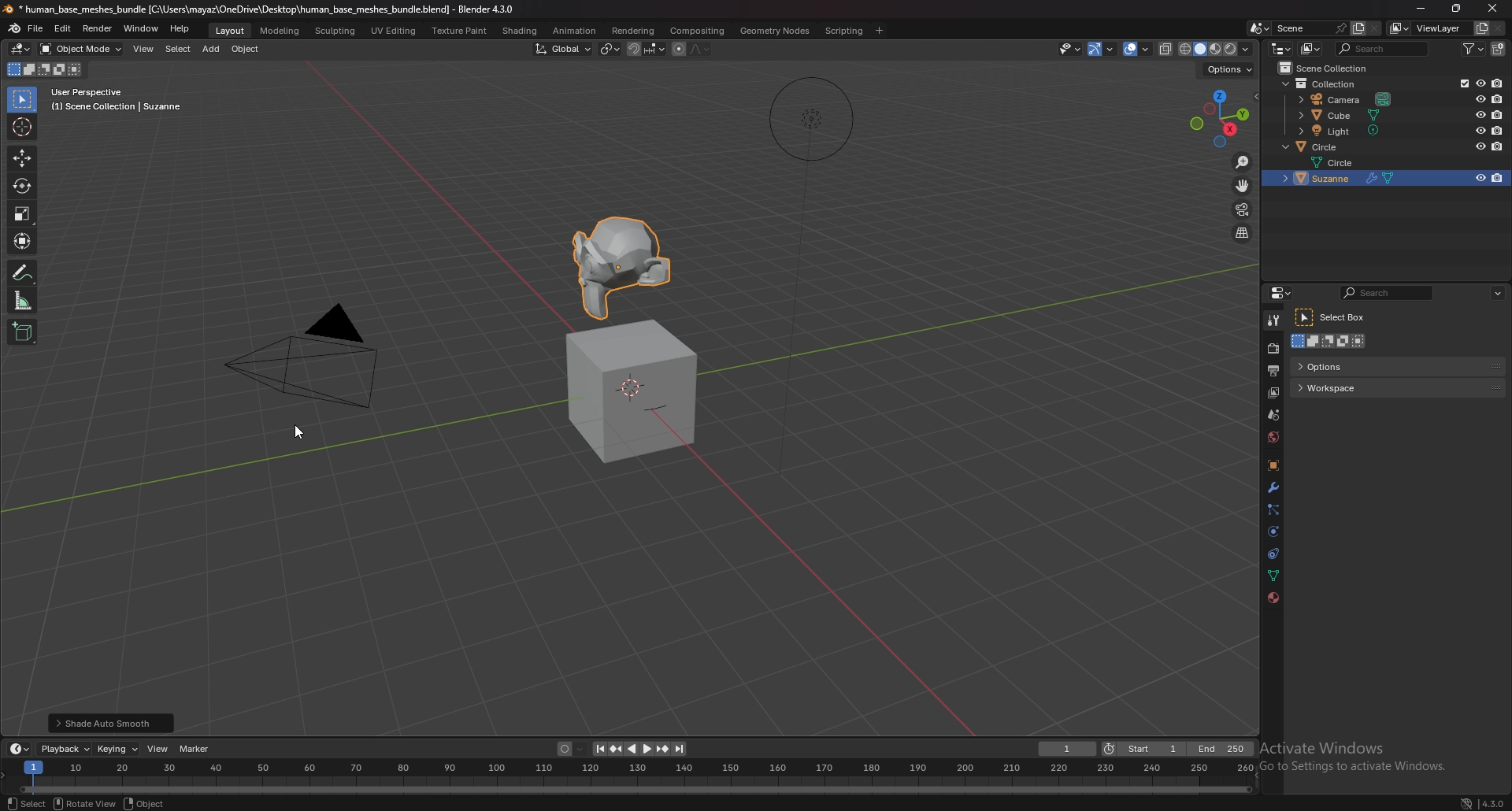  I want to click on end, so click(1222, 748).